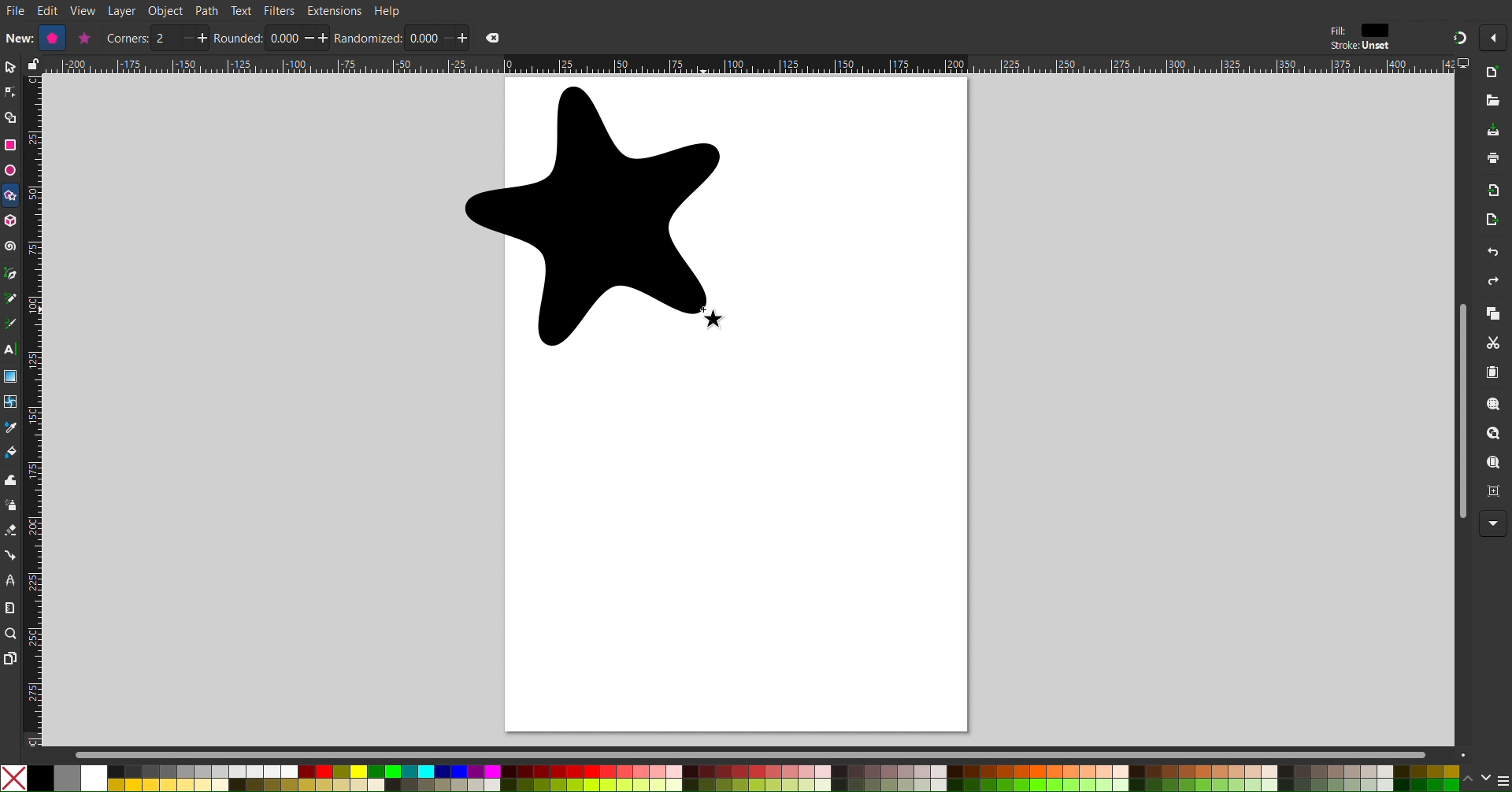 This screenshot has height=792, width=1512. Describe the element at coordinates (167, 11) in the screenshot. I see `Object` at that location.